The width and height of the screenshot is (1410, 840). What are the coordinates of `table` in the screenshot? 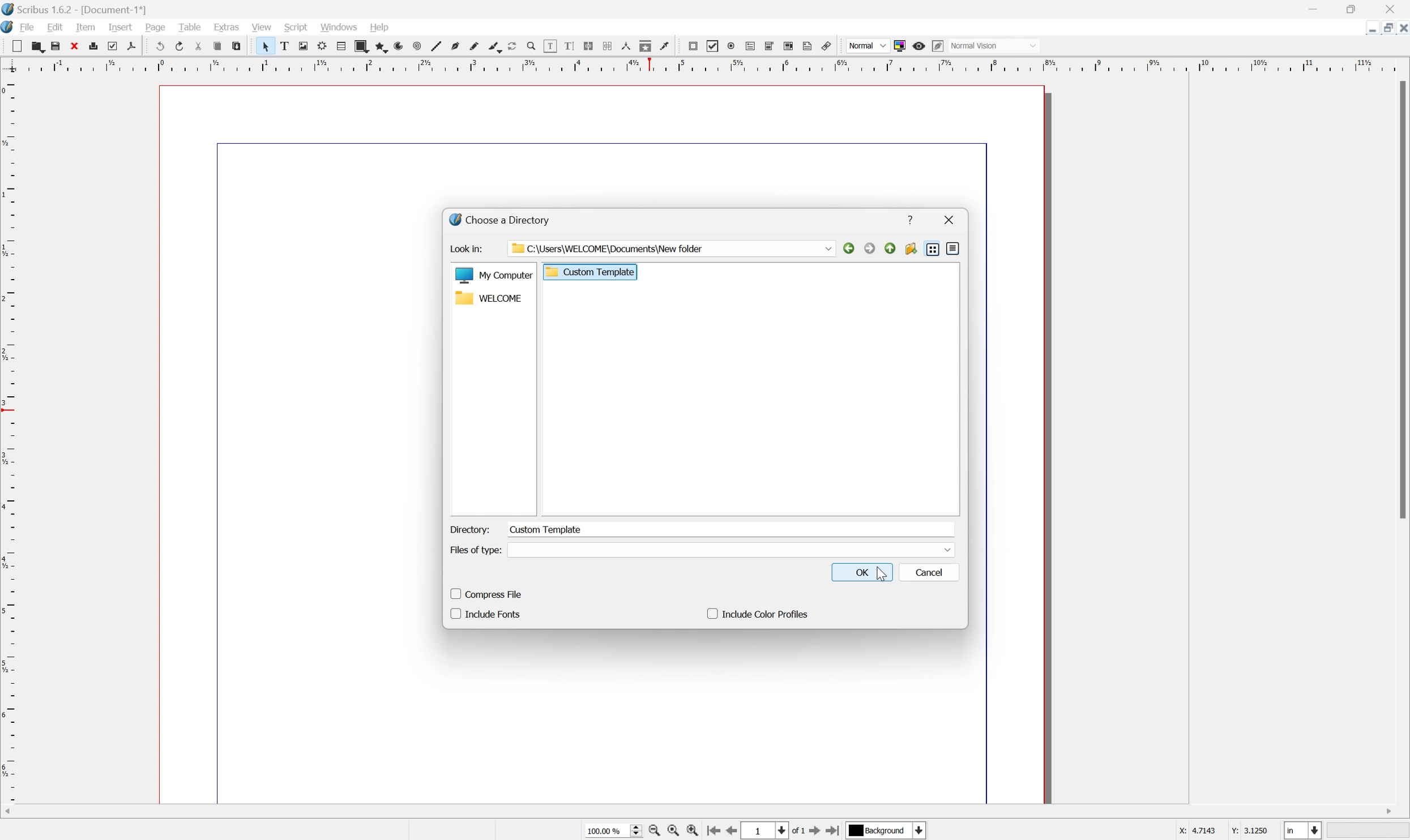 It's located at (341, 44).